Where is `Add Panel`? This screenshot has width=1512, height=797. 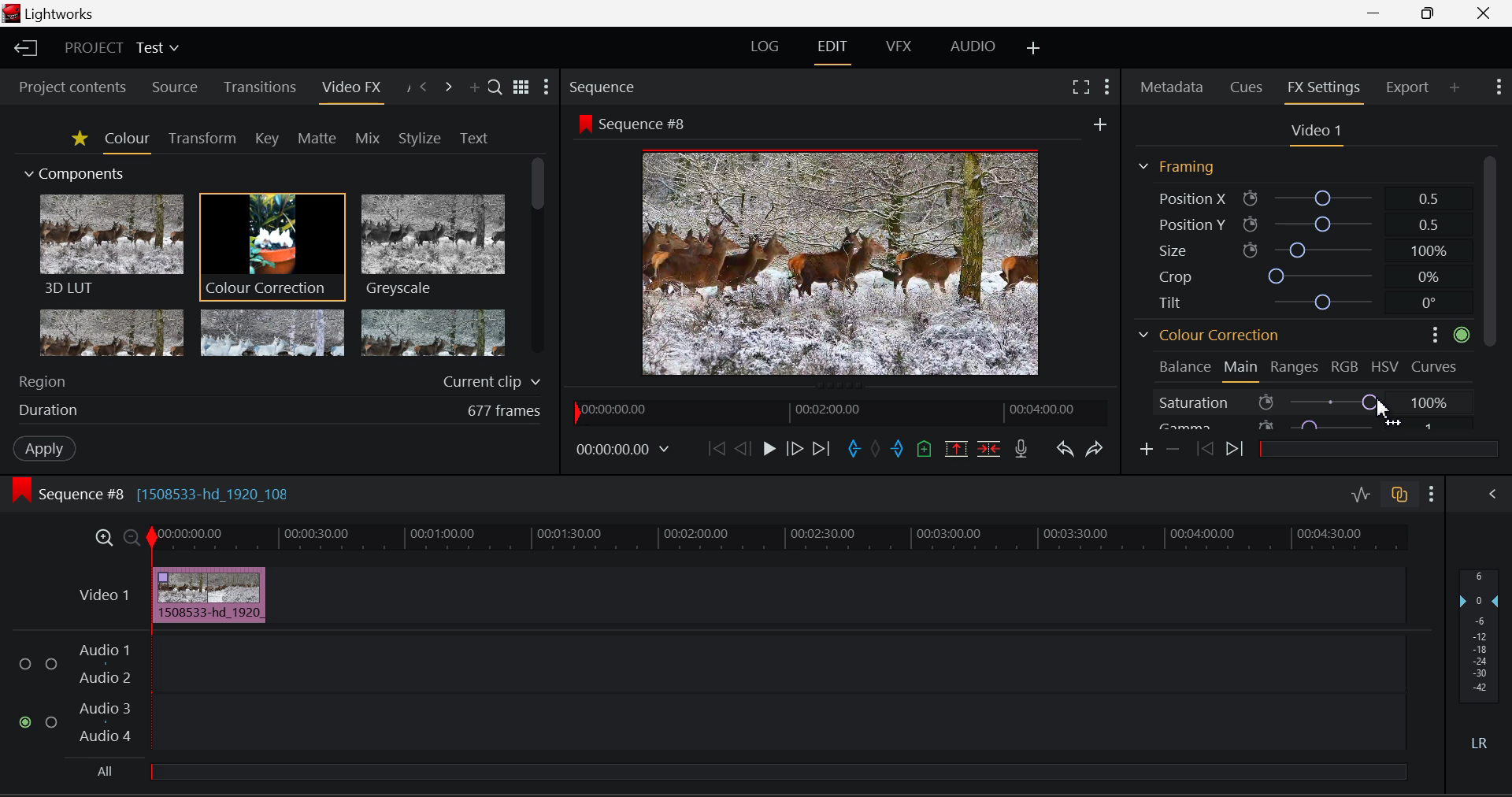
Add Panel is located at coordinates (472, 87).